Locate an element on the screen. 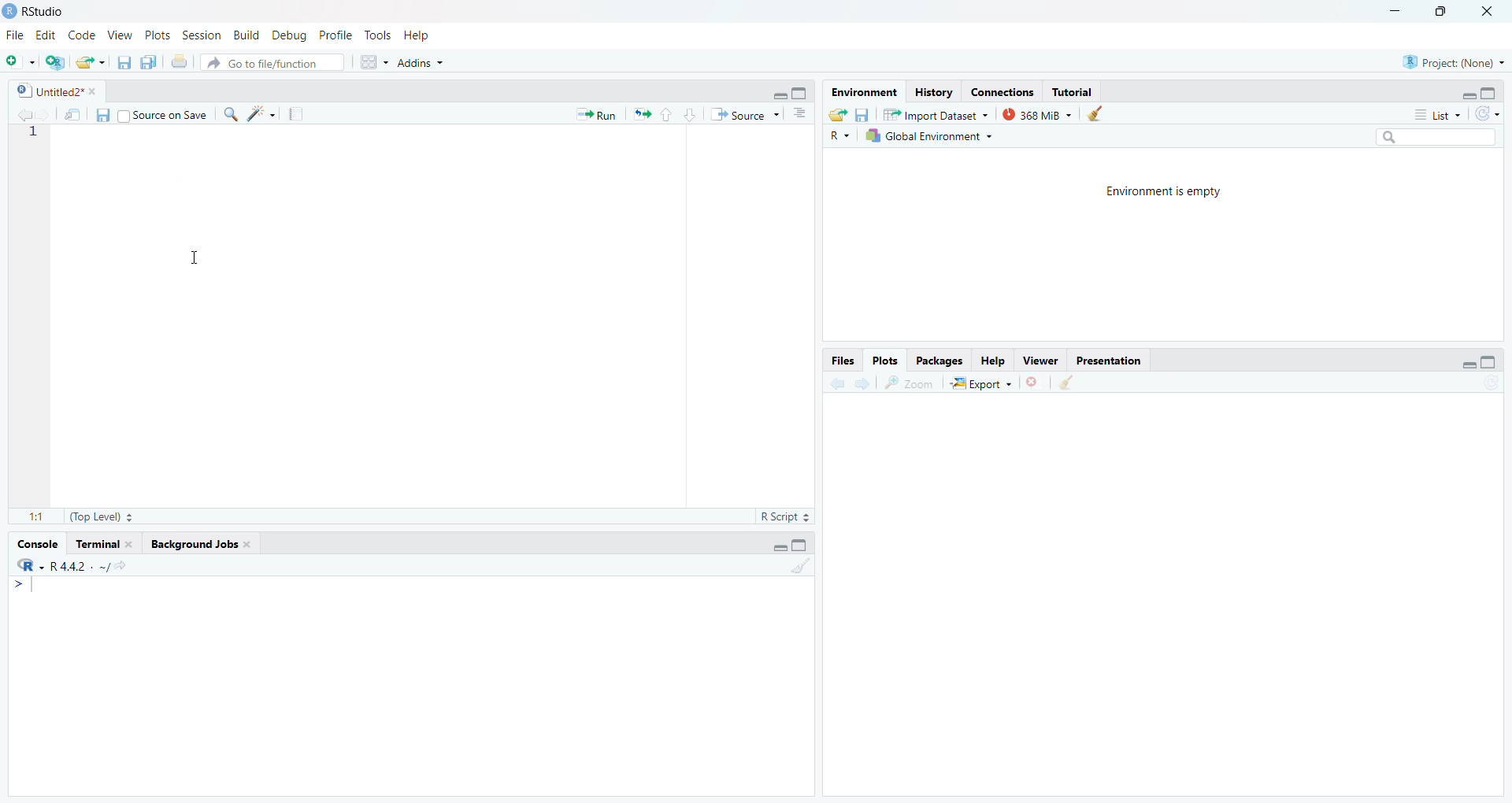 The image size is (1512, 803). History is located at coordinates (934, 92).